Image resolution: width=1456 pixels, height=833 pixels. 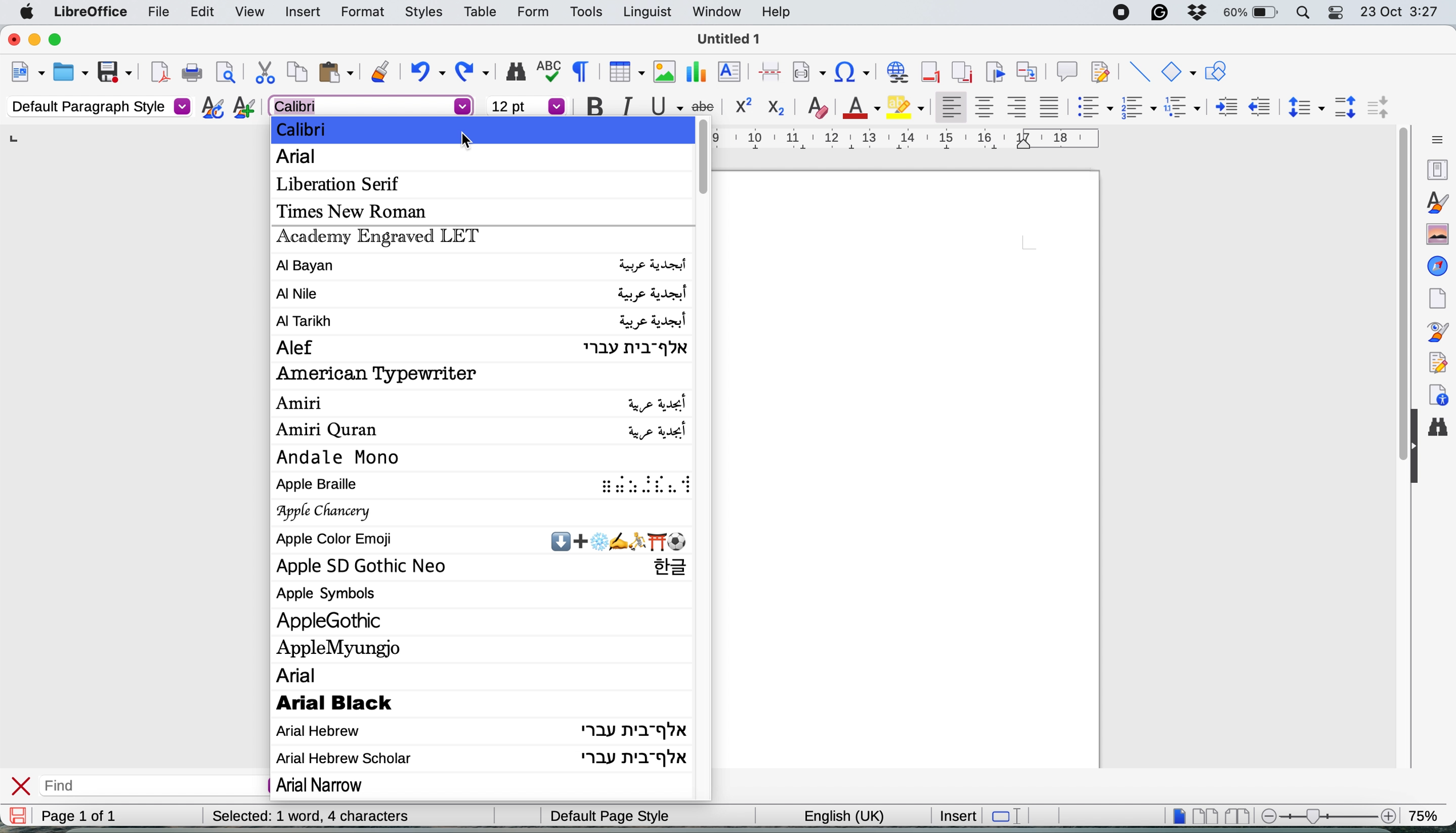 What do you see at coordinates (89, 786) in the screenshot?
I see `find` at bounding box center [89, 786].